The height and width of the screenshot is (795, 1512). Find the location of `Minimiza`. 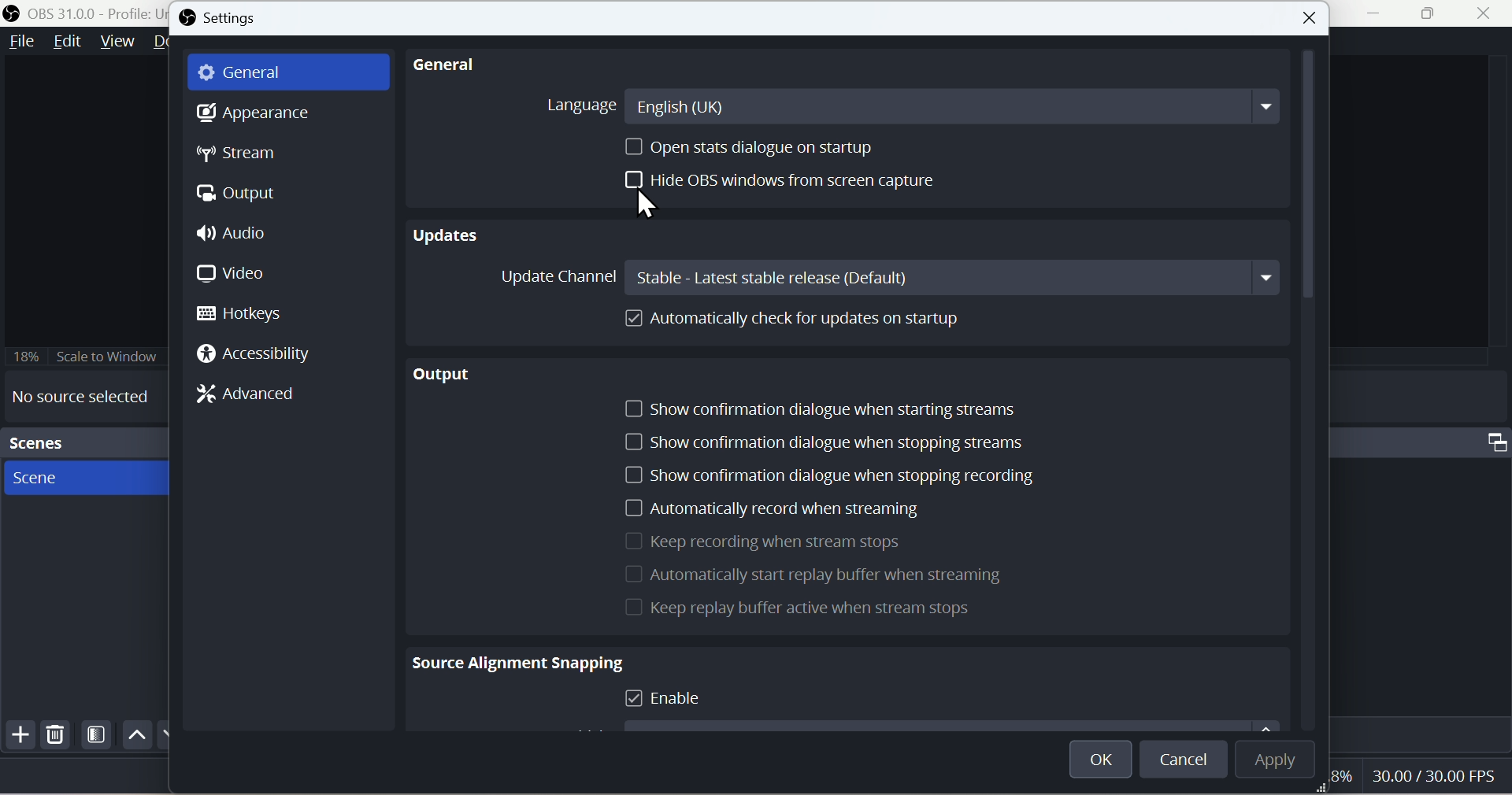

Minimiza is located at coordinates (1371, 14).